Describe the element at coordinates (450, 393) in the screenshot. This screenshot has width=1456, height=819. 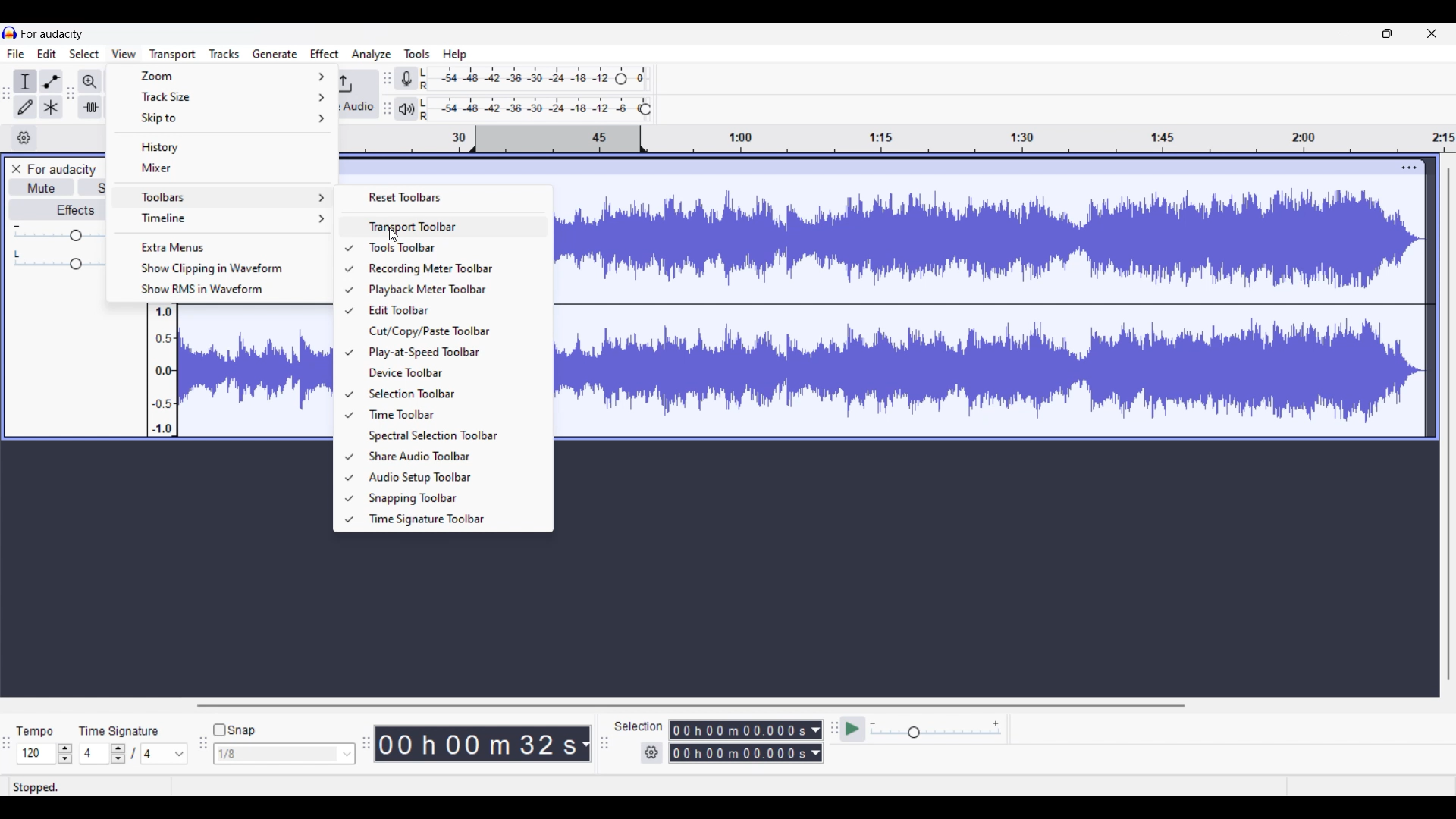
I see `Selection toolbar` at that location.